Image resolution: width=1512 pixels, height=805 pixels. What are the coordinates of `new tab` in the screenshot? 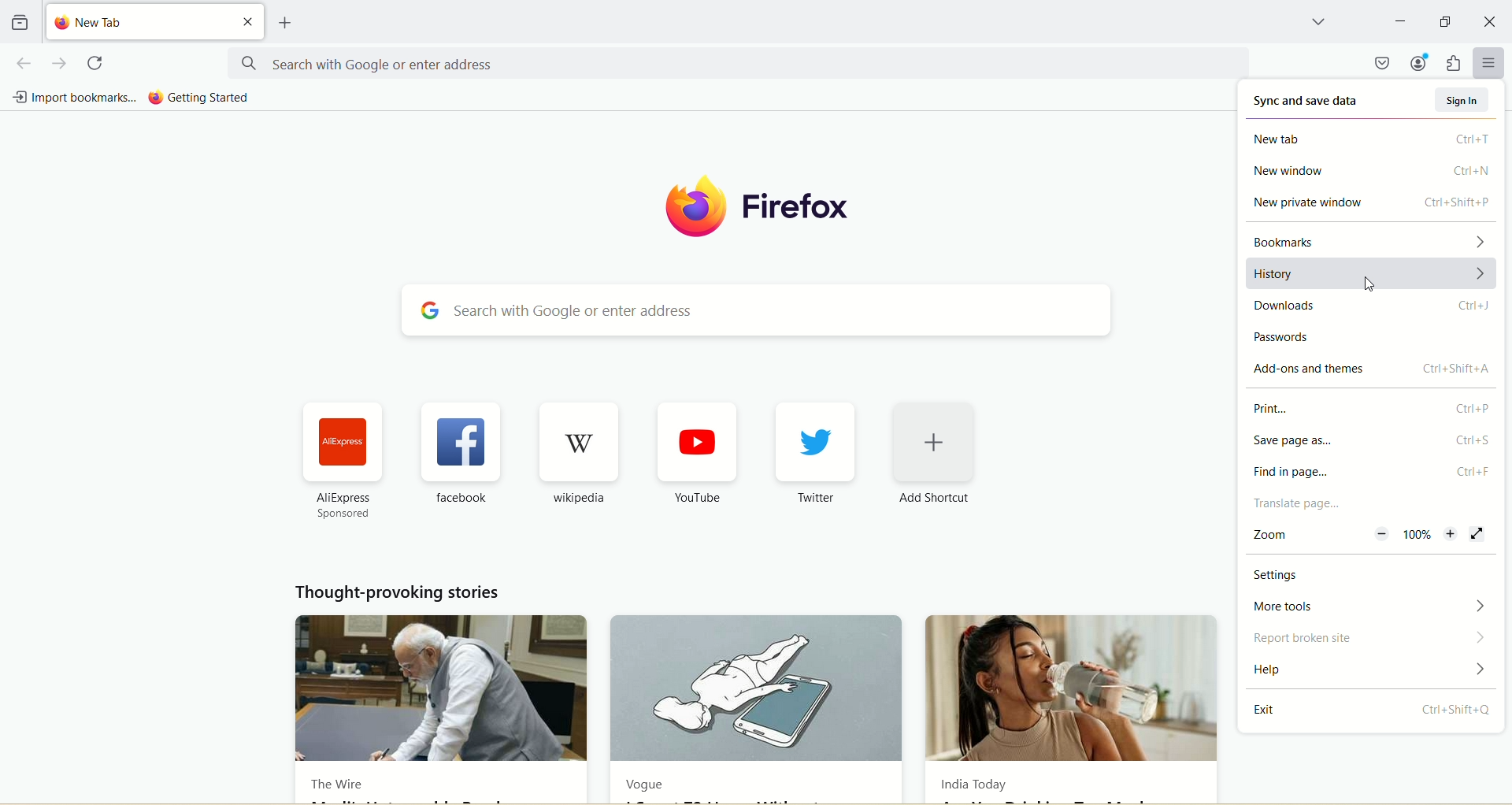 It's located at (135, 22).